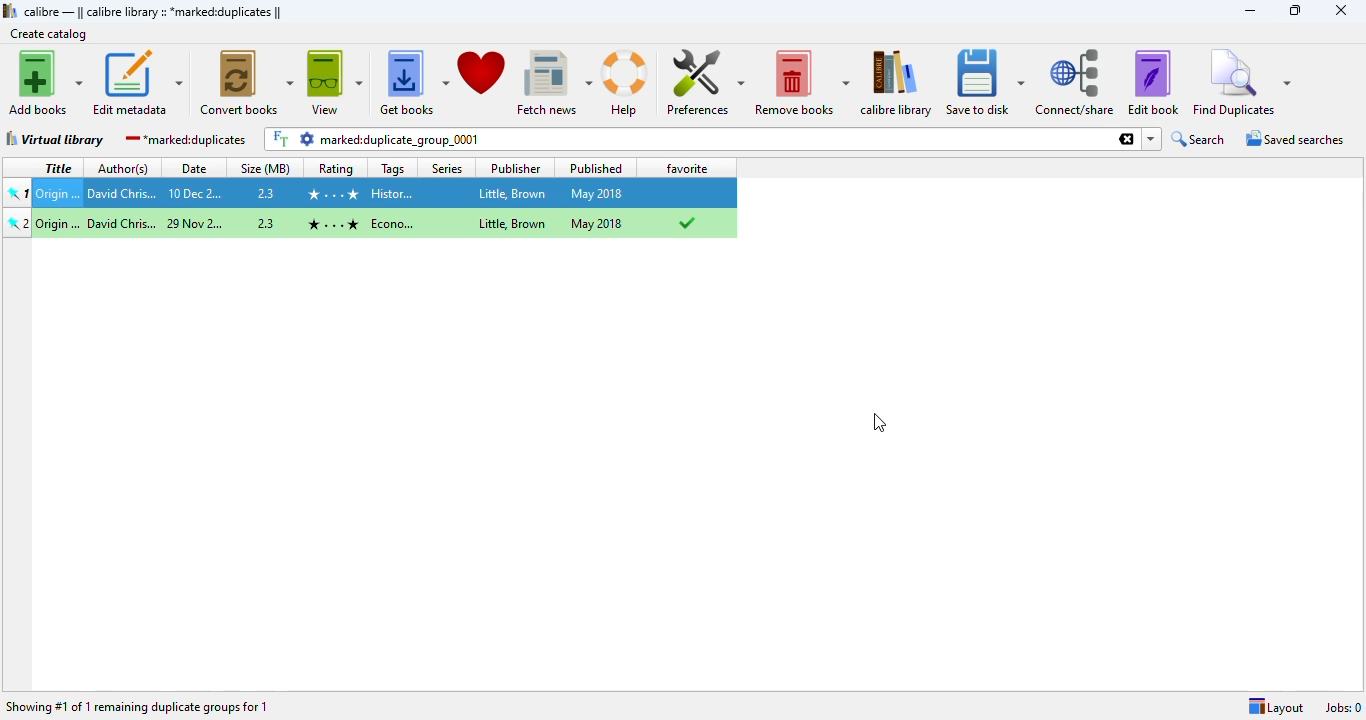  What do you see at coordinates (139, 706) in the screenshot?
I see `showing #1 of 1 remaining duplicate groups for 1` at bounding box center [139, 706].